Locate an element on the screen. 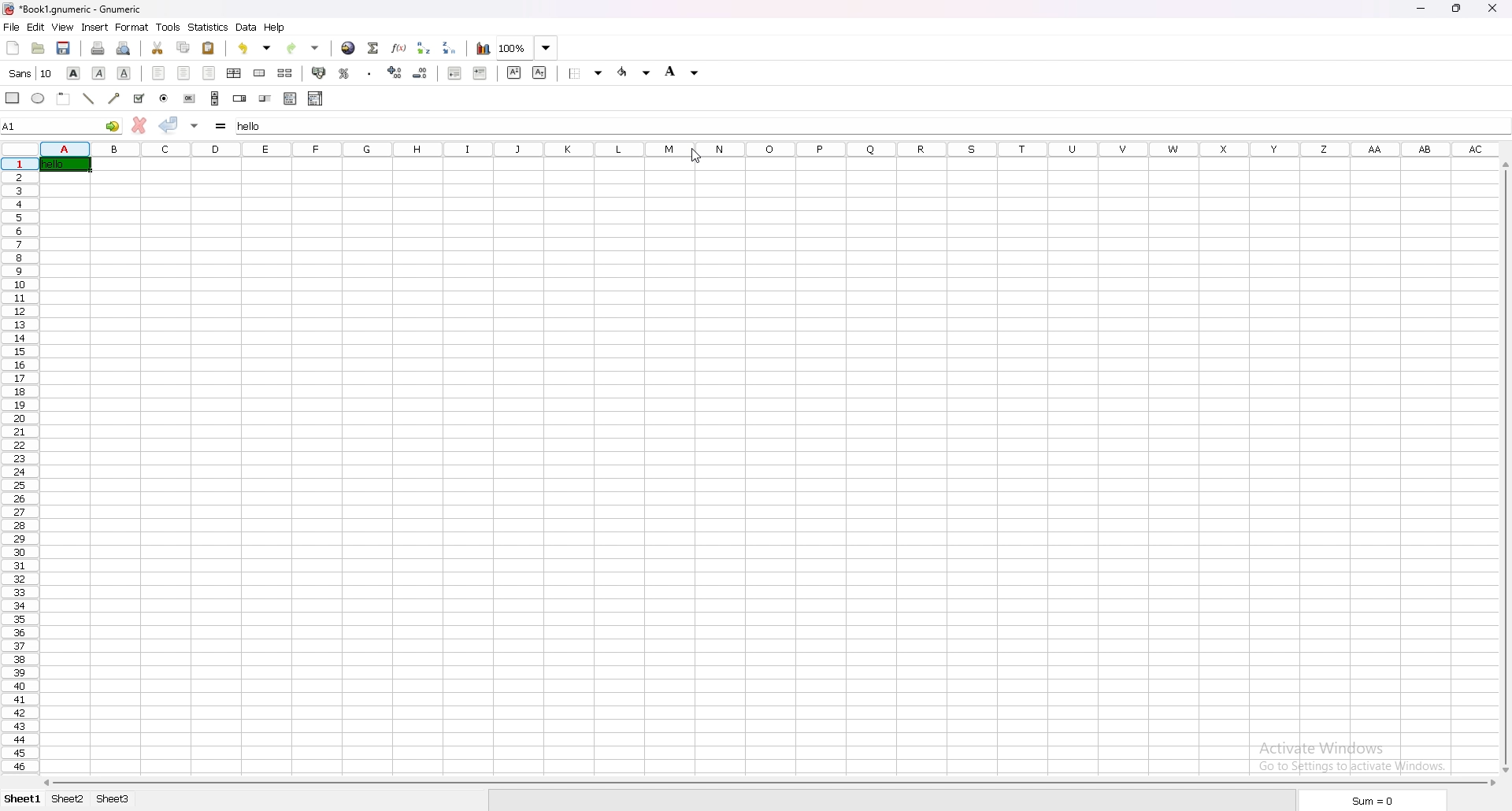  print is located at coordinates (98, 48).